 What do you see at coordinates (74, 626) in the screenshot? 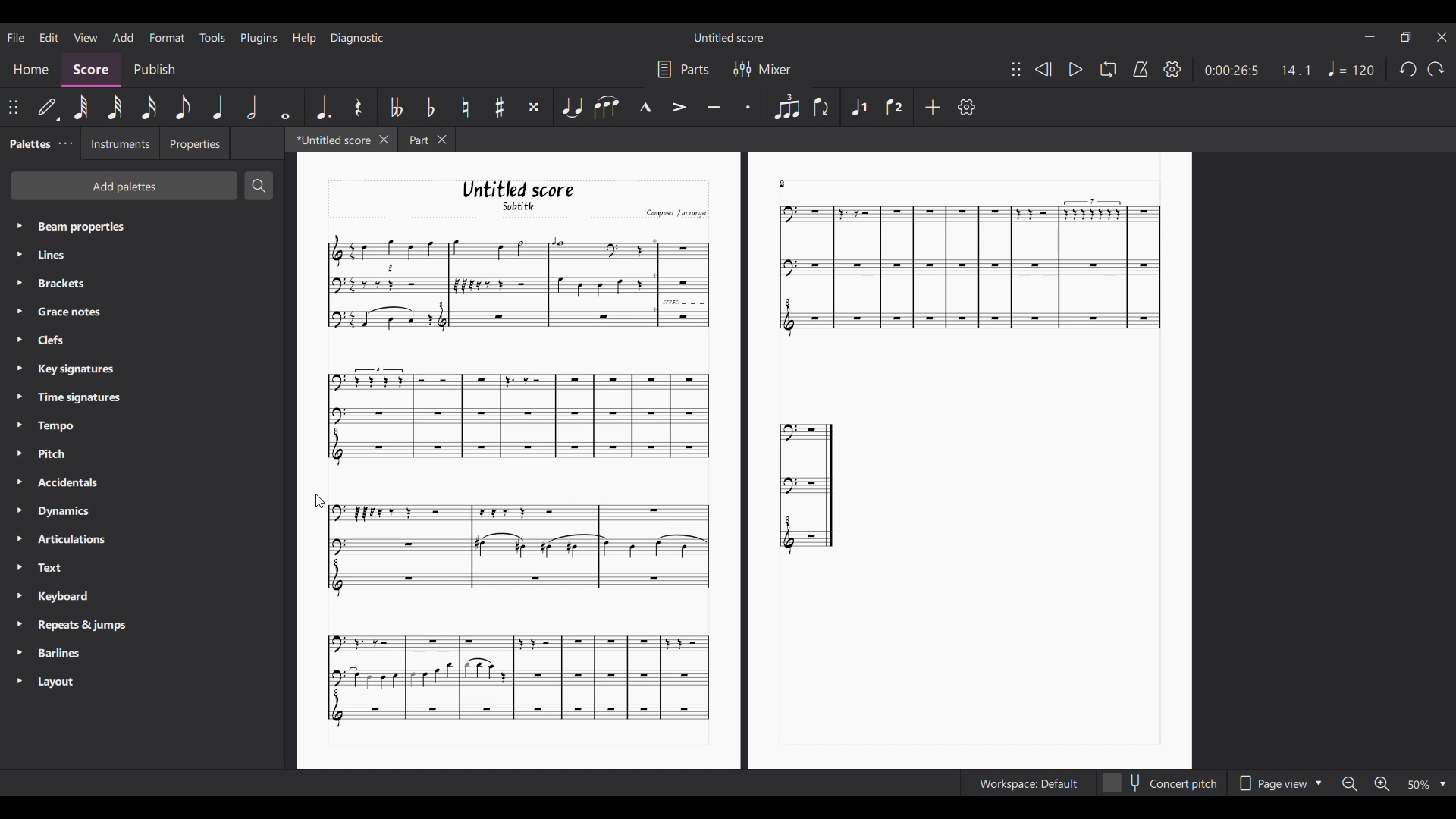
I see `> Repeats & jumps` at bounding box center [74, 626].